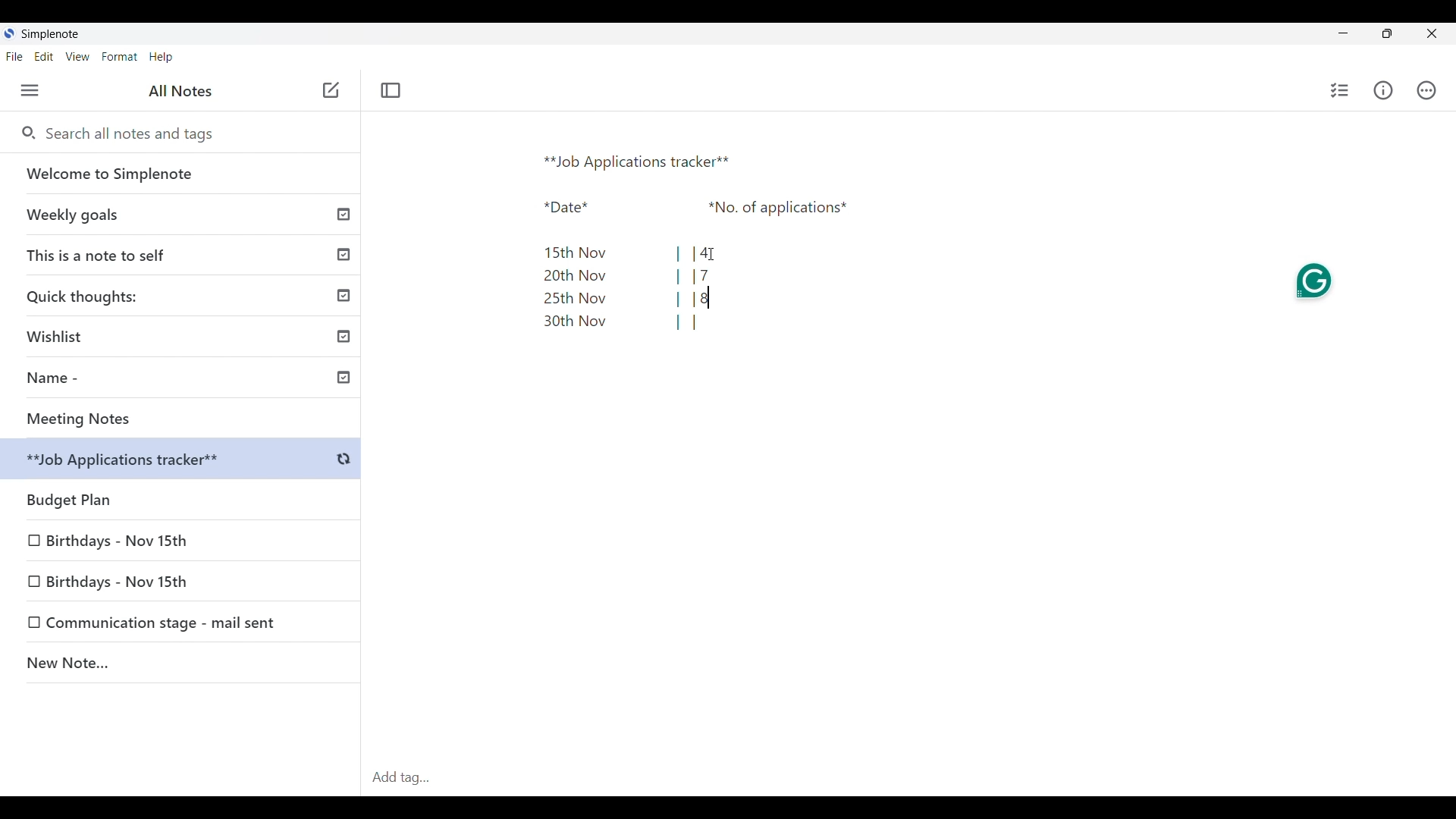  I want to click on All notes, so click(180, 90).